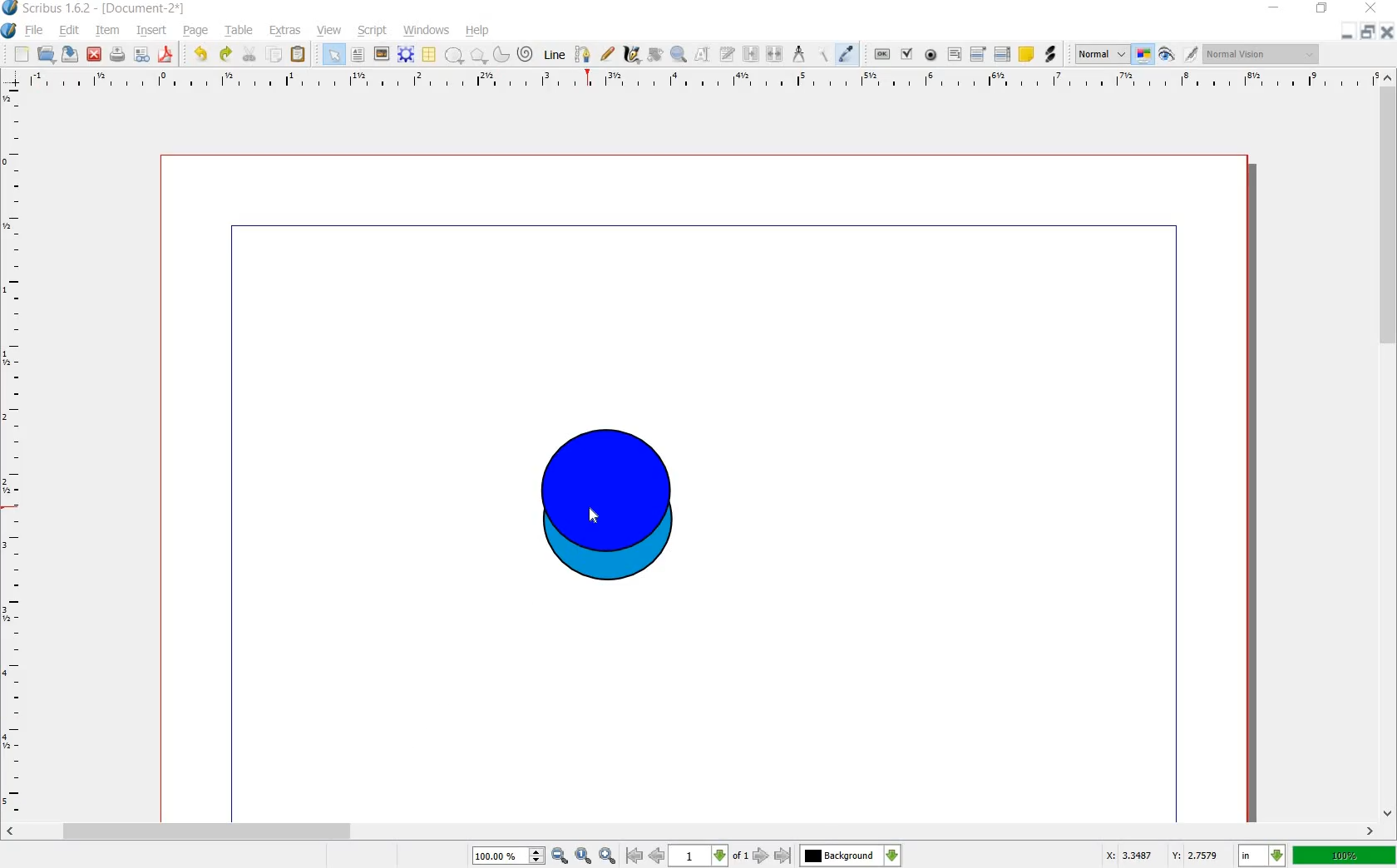 This screenshot has width=1397, height=868. Describe the element at coordinates (240, 31) in the screenshot. I see `table` at that location.